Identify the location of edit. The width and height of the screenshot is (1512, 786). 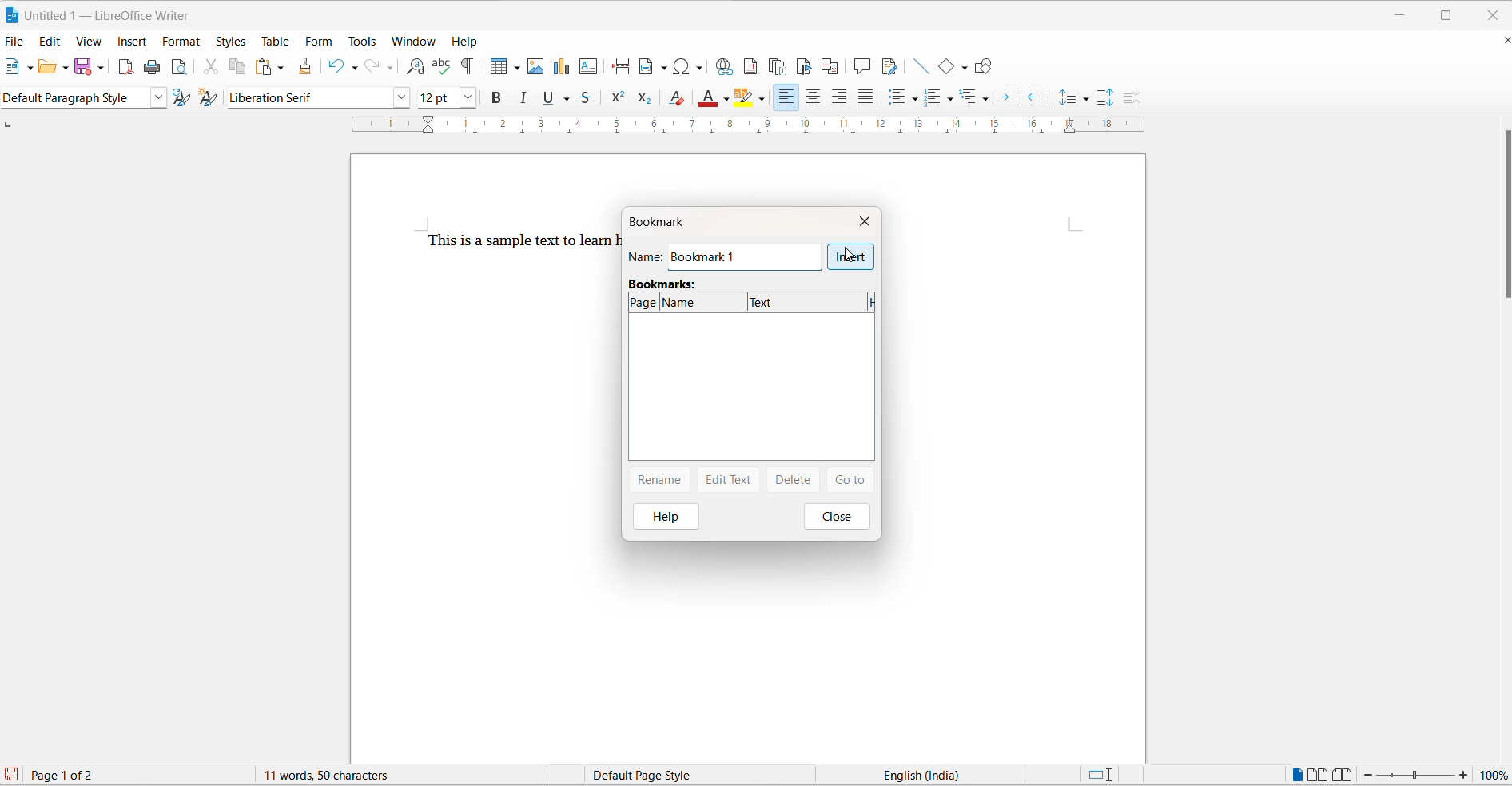
(50, 41).